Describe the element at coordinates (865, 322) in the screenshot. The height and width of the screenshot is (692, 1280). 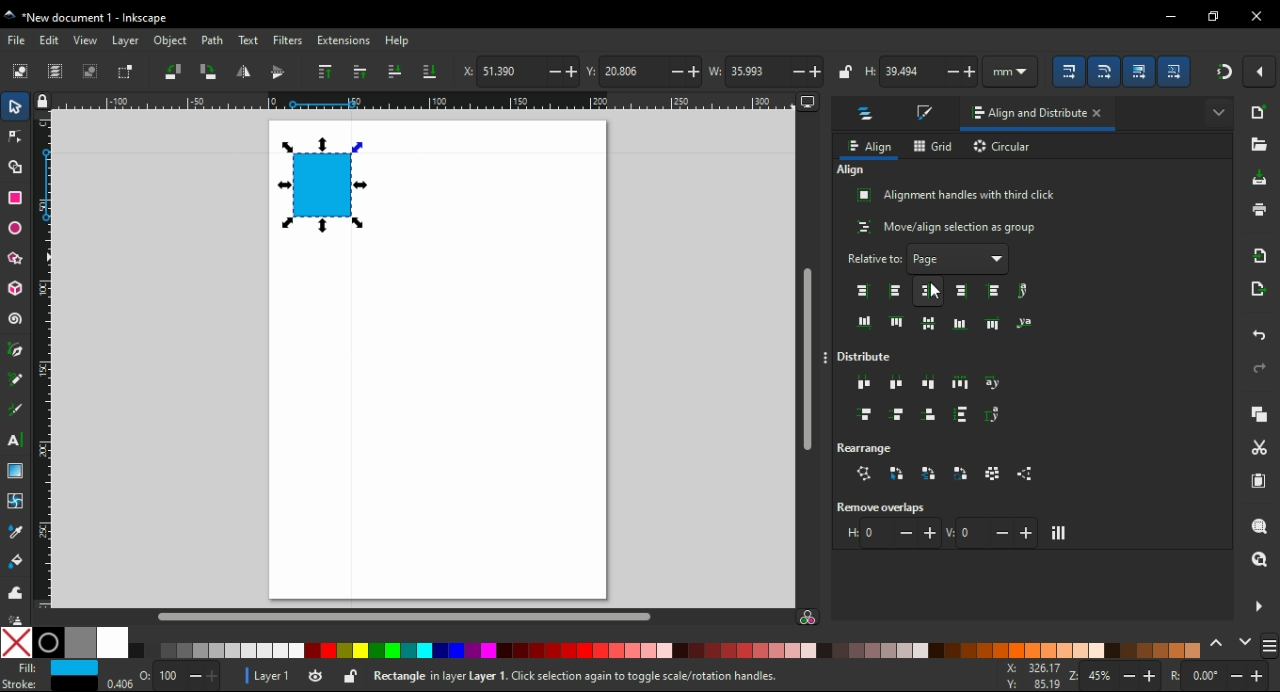
I see `align bottom edge of objects to top edge of anchor` at that location.